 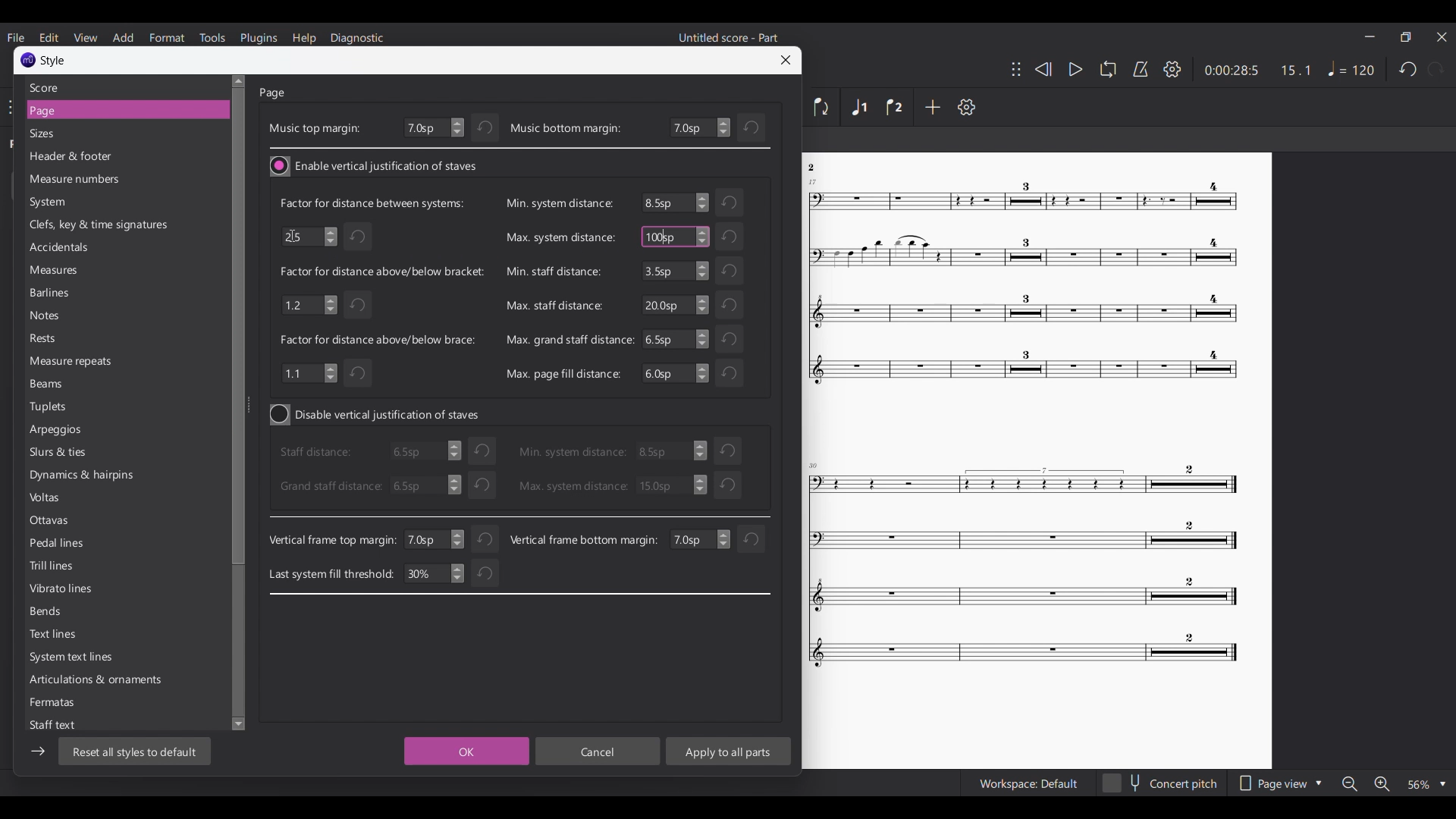 What do you see at coordinates (557, 203) in the screenshot?
I see `Min. system distance` at bounding box center [557, 203].